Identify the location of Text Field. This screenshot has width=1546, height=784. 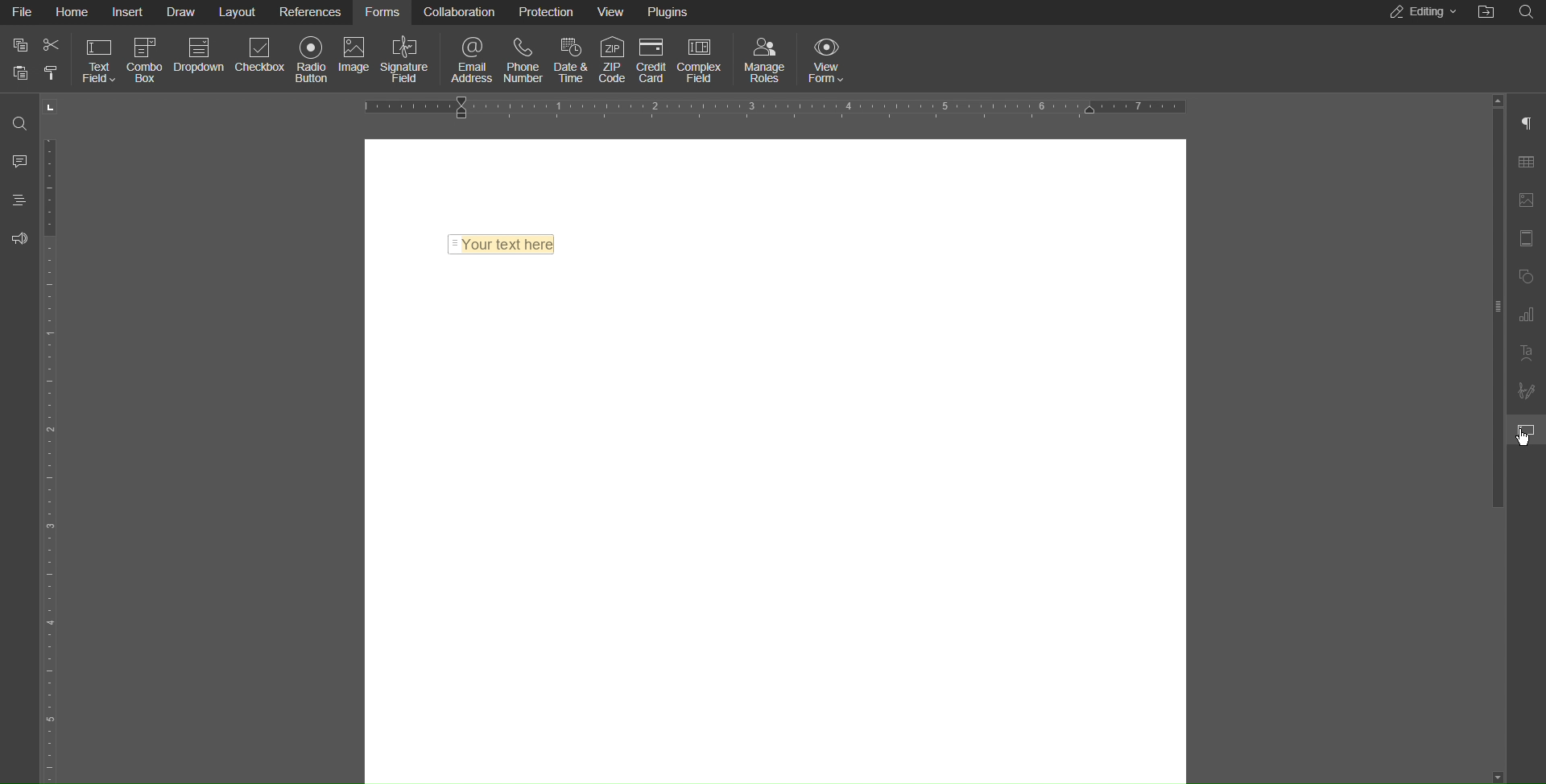
(97, 61).